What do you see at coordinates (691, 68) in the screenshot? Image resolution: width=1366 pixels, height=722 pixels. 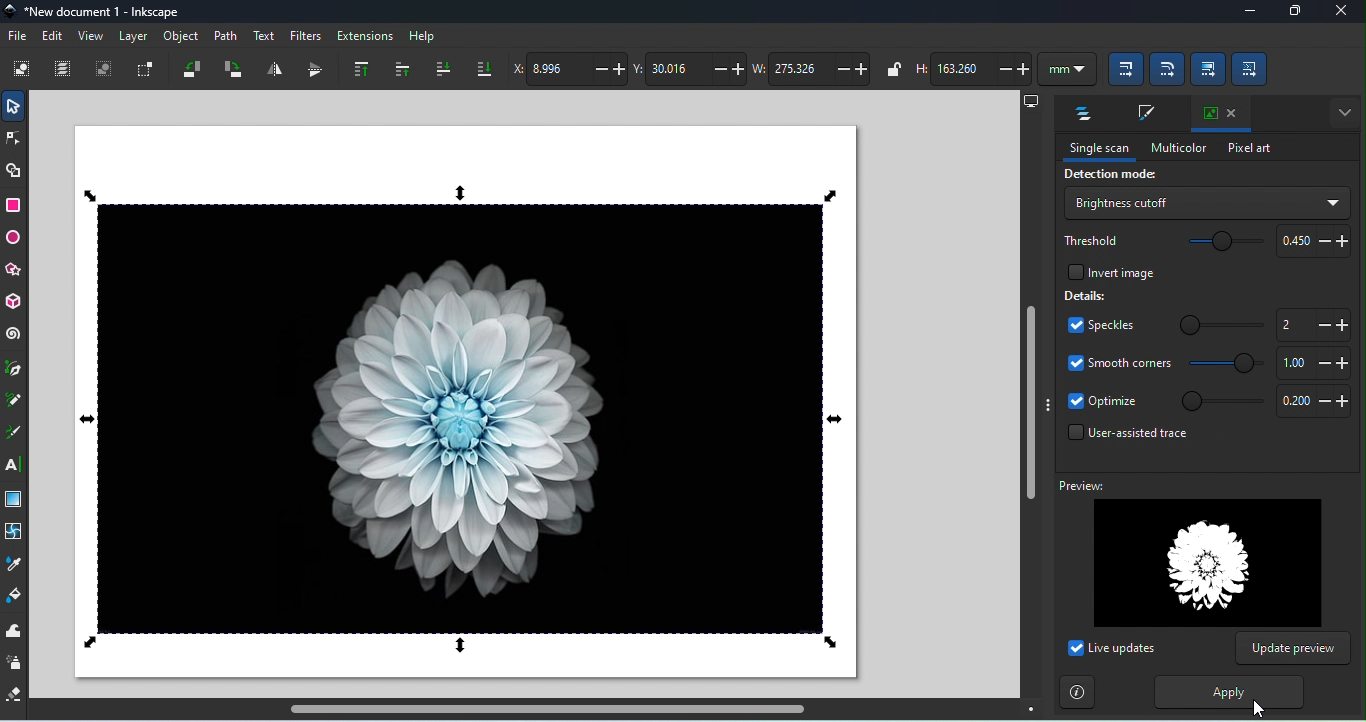 I see `Vertical coordinate of the selection` at bounding box center [691, 68].